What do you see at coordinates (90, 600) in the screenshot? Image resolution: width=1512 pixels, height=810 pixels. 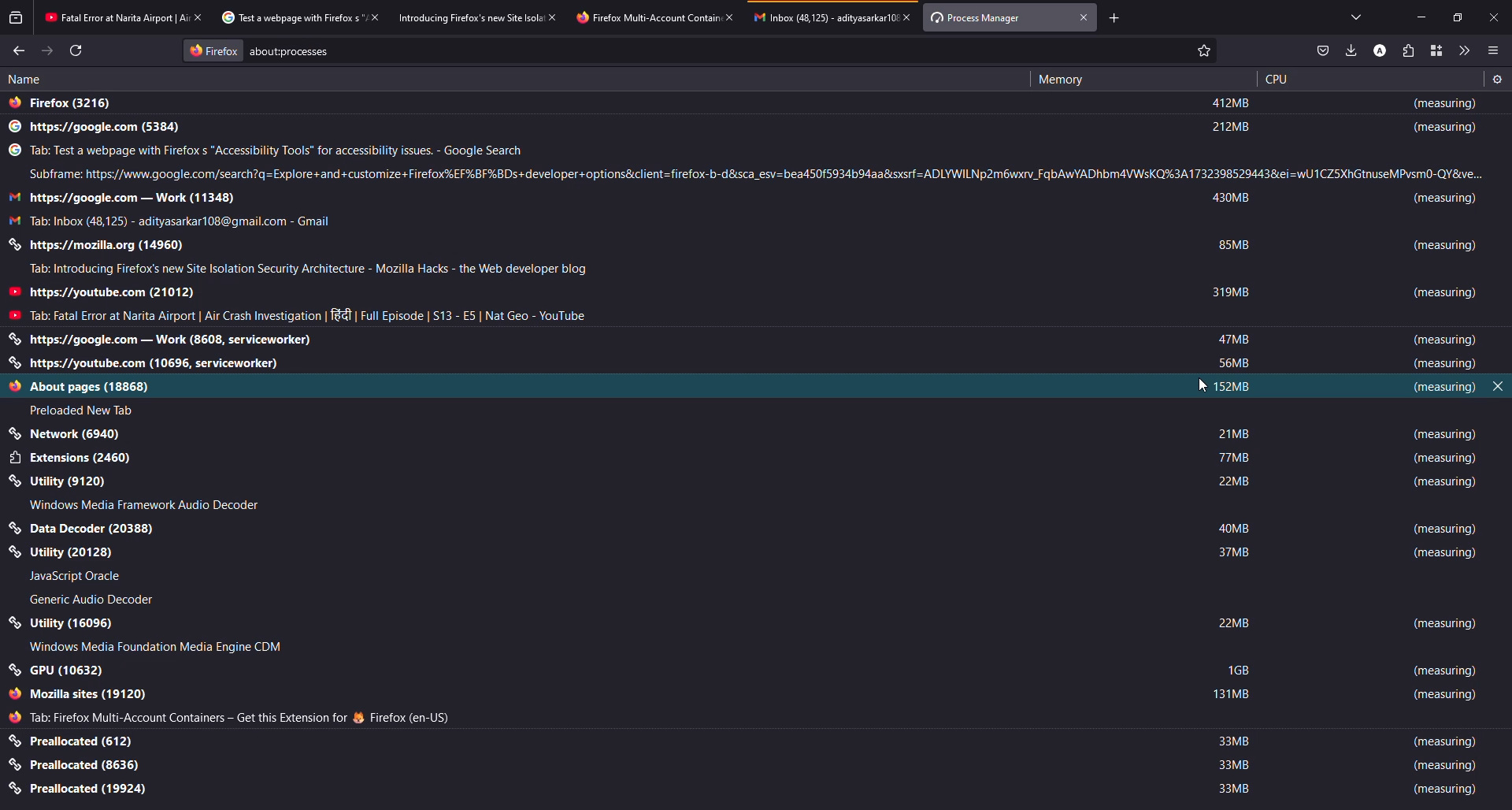 I see `Generic audio decoder` at bounding box center [90, 600].